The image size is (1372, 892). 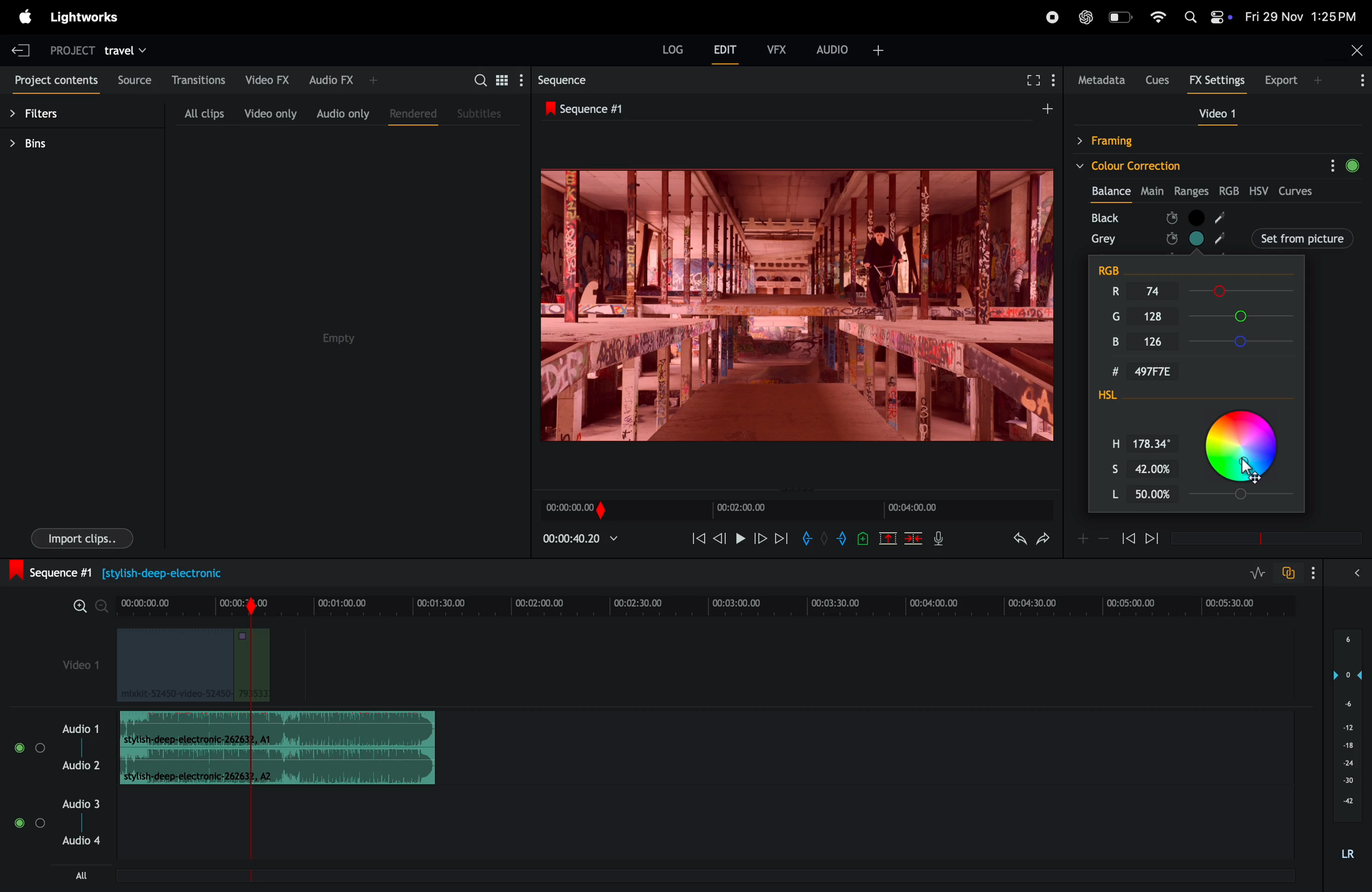 I want to click on nextframe, so click(x=761, y=538).